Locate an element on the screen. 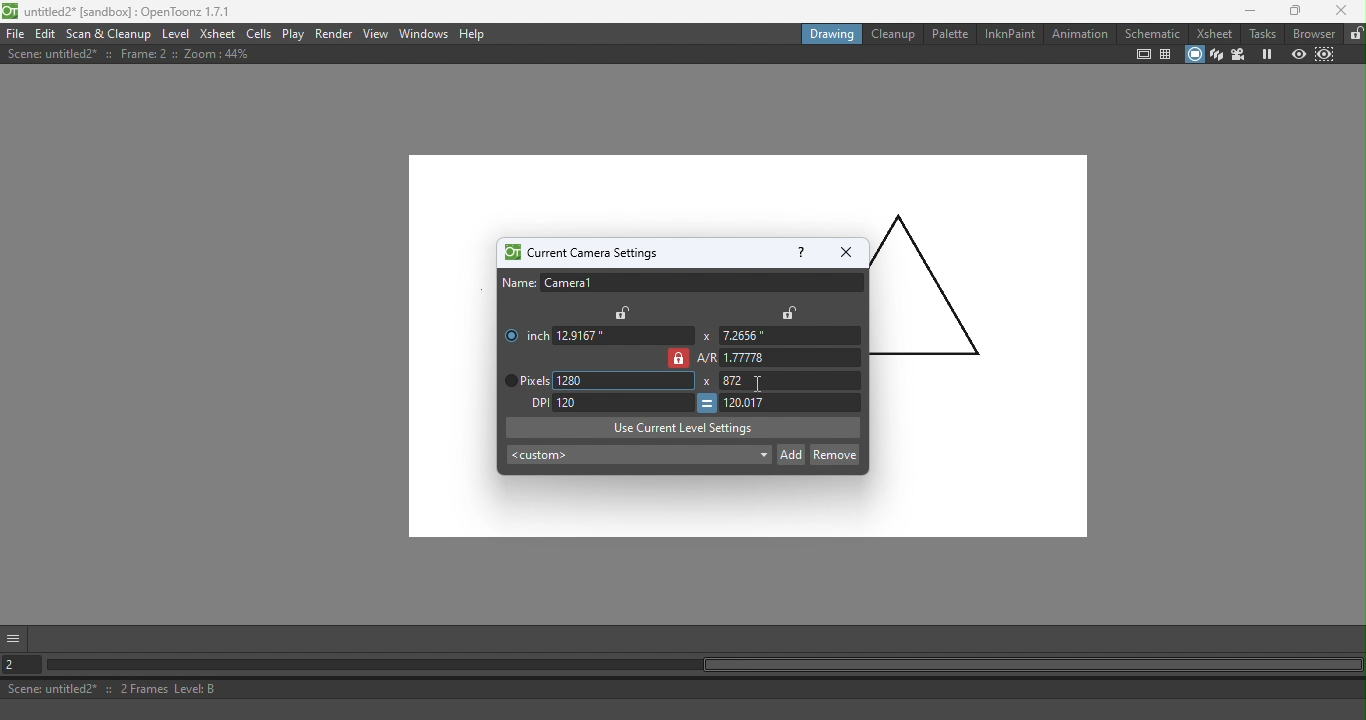  Level is located at coordinates (177, 32).